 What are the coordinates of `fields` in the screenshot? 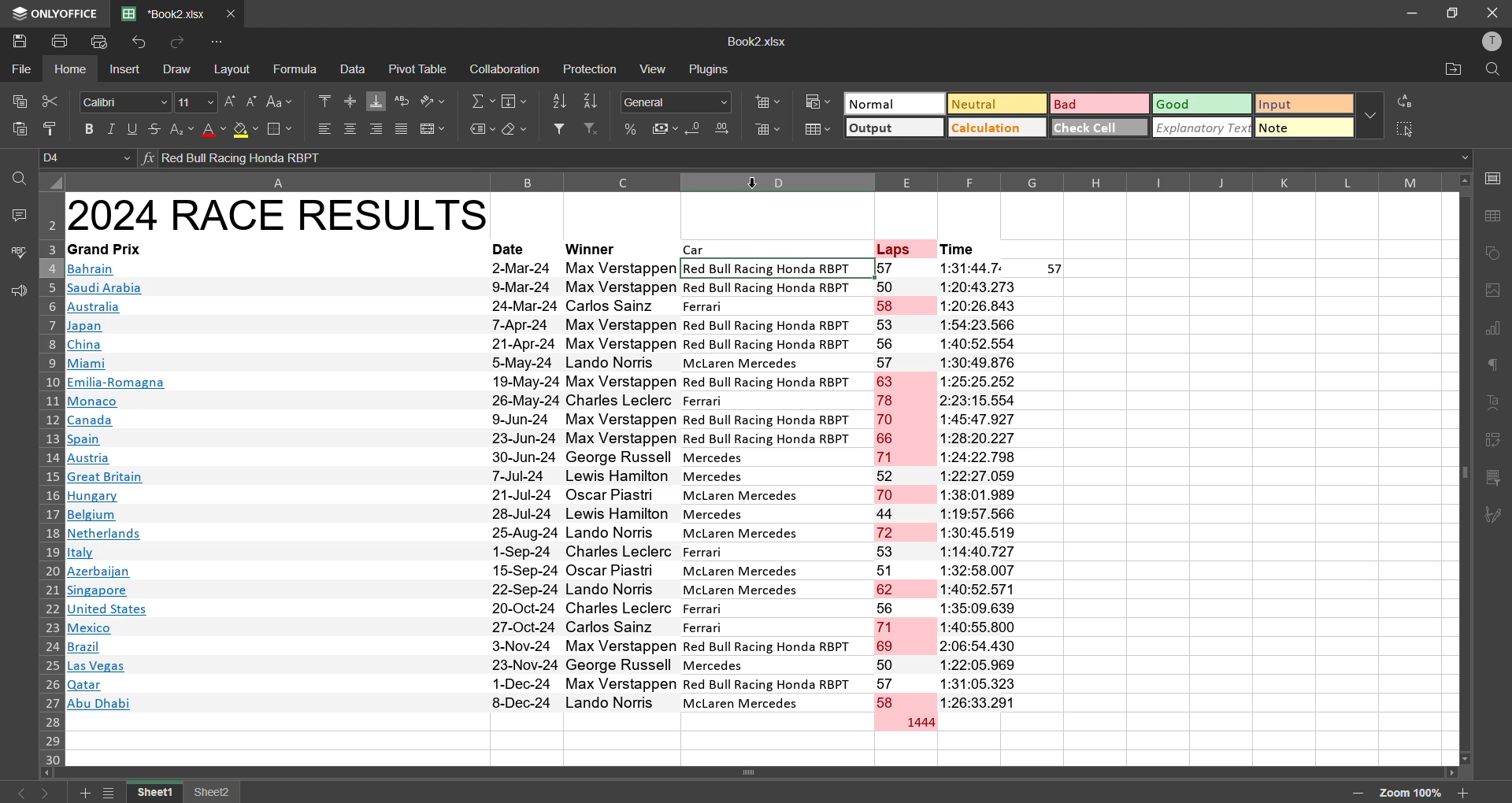 It's located at (517, 101).